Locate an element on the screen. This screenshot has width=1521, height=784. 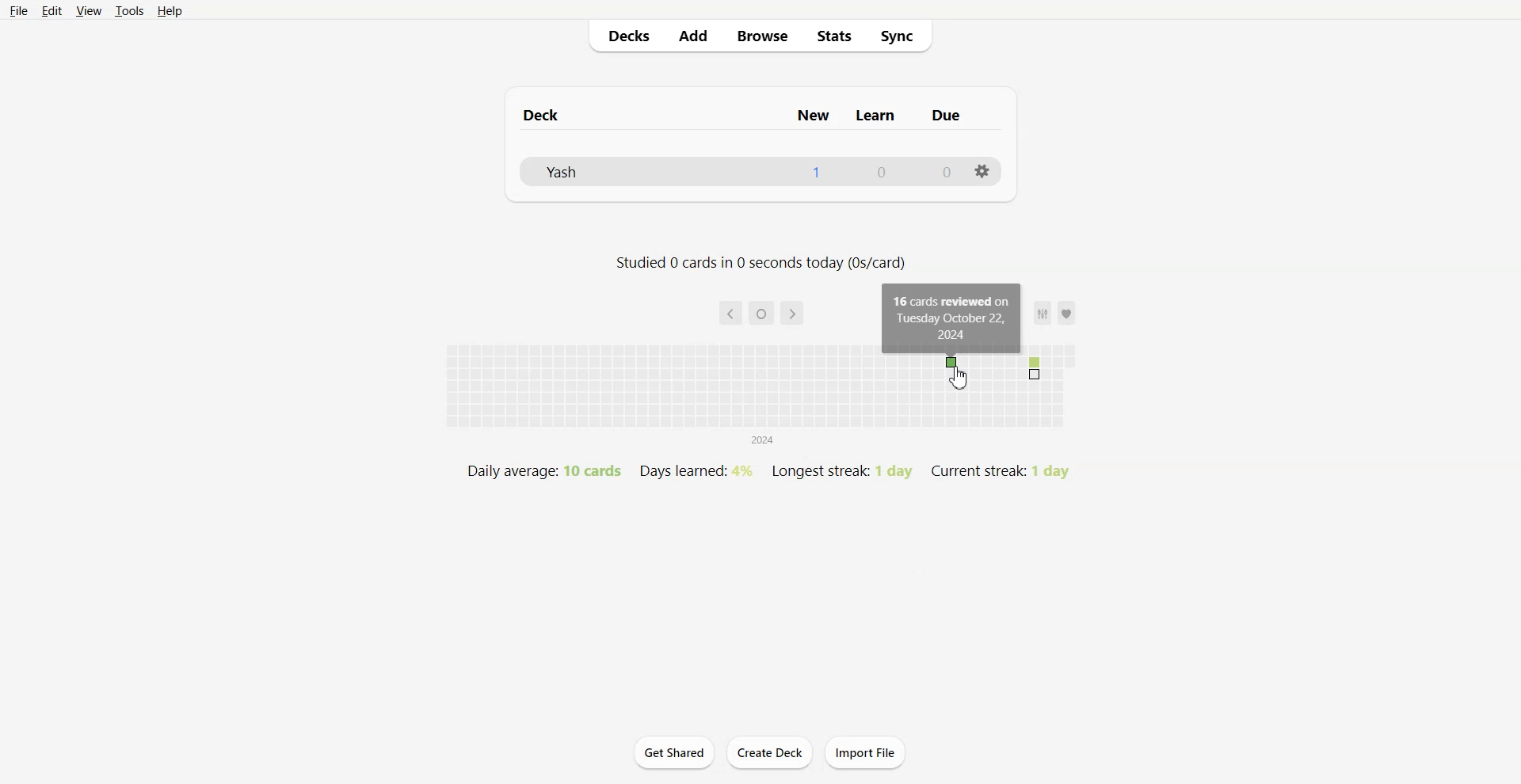
0 is located at coordinates (949, 171).